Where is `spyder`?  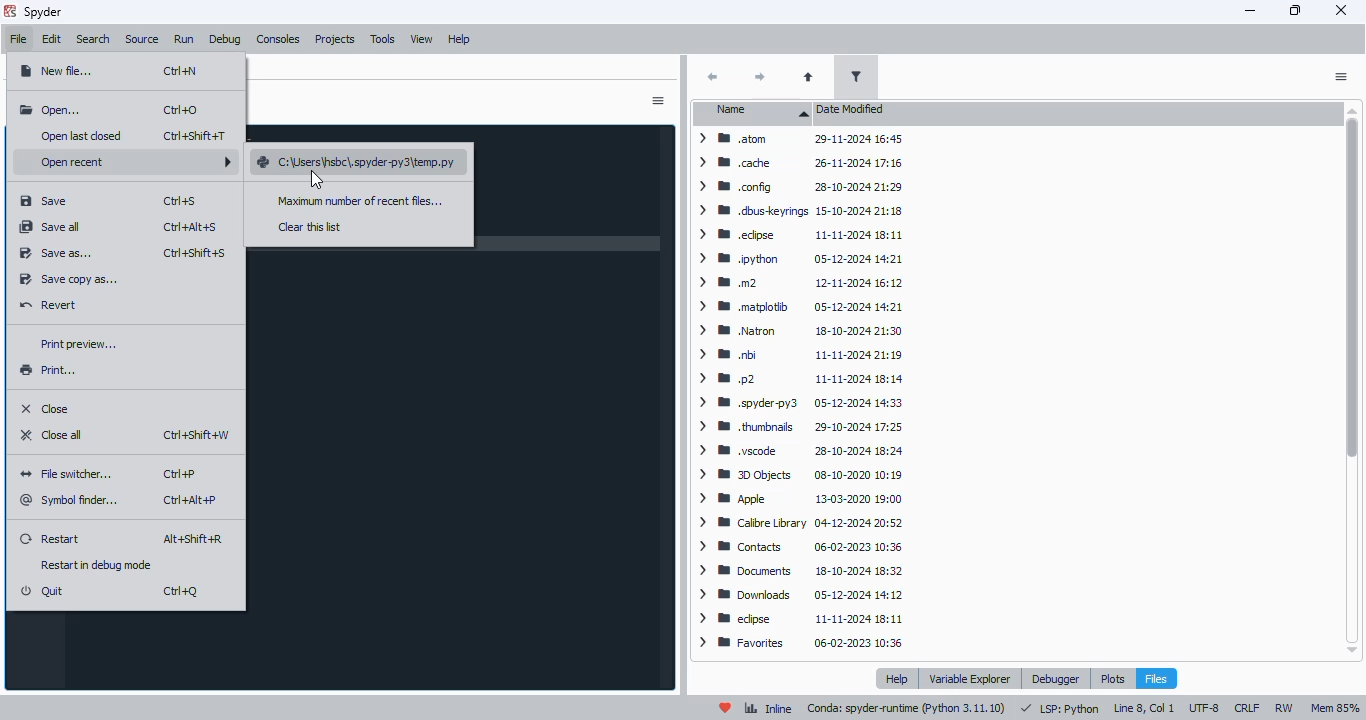 spyder is located at coordinates (43, 12).